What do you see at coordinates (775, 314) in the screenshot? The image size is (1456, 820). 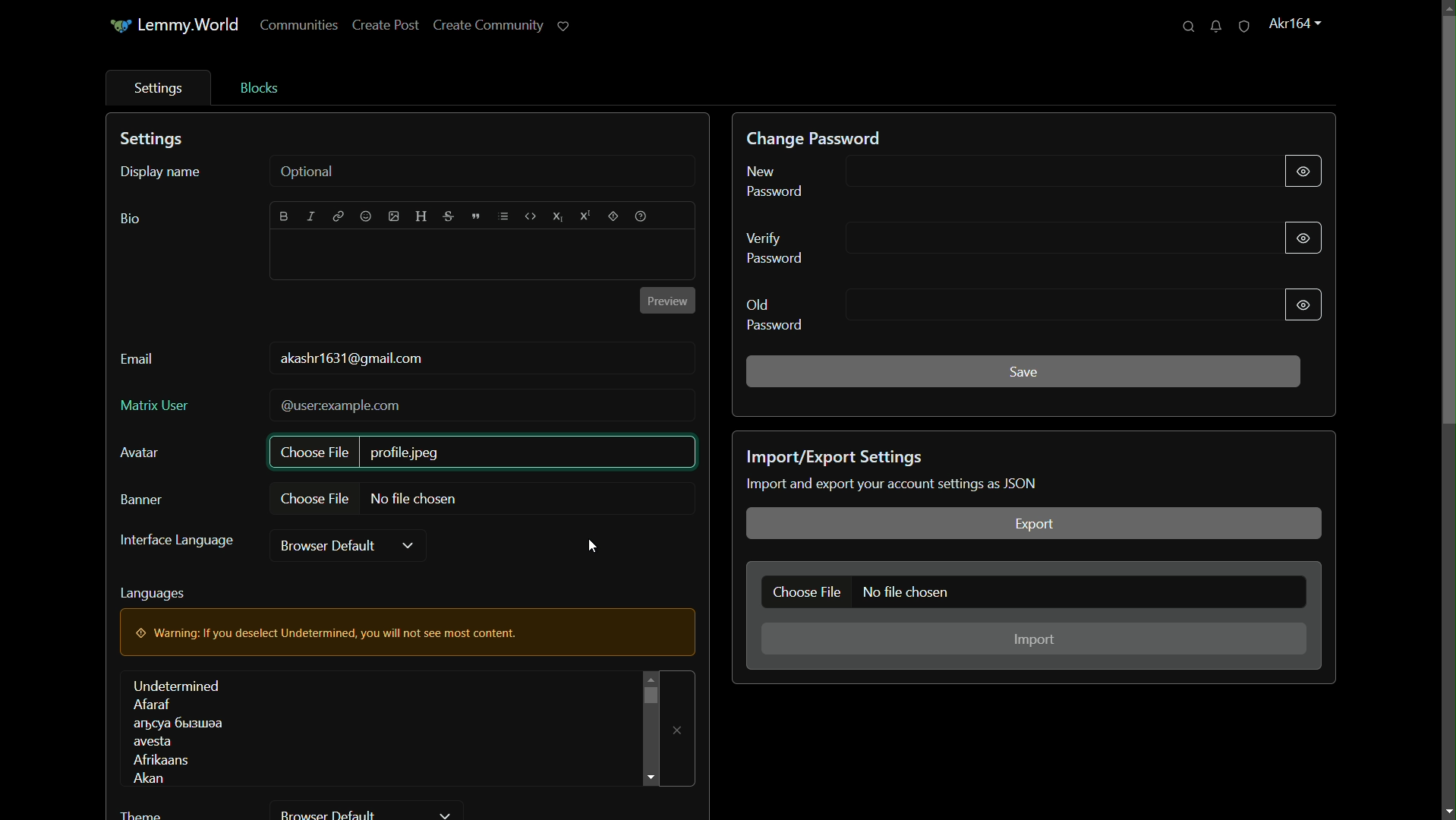 I see `old password` at bounding box center [775, 314].